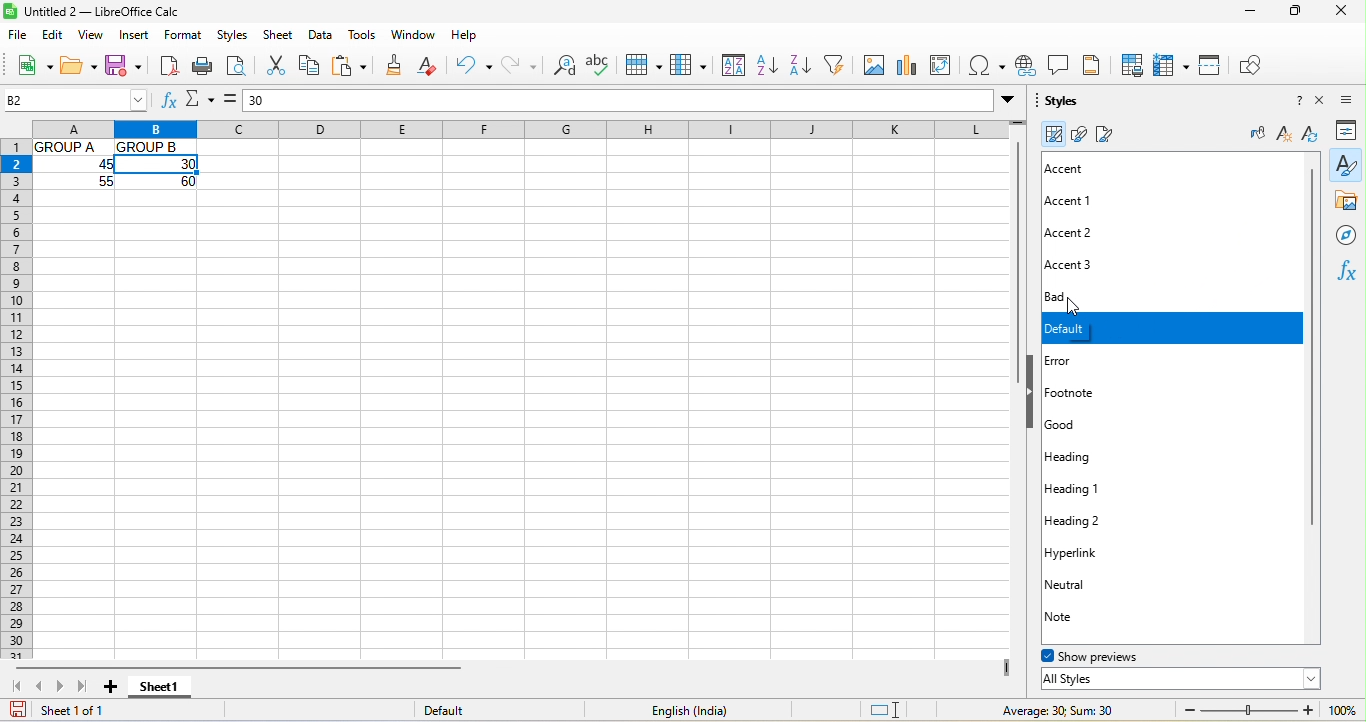  What do you see at coordinates (166, 103) in the screenshot?
I see `function wizard` at bounding box center [166, 103].